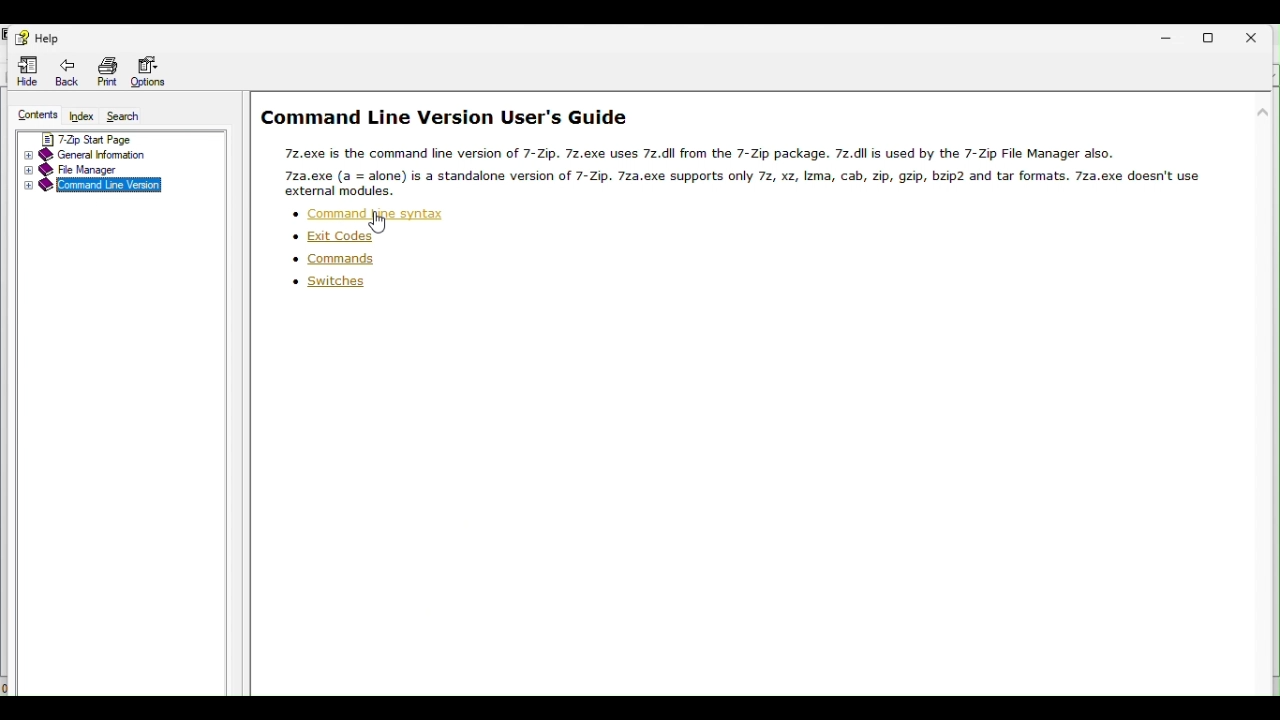 Image resolution: width=1280 pixels, height=720 pixels. I want to click on minimize , so click(1169, 36).